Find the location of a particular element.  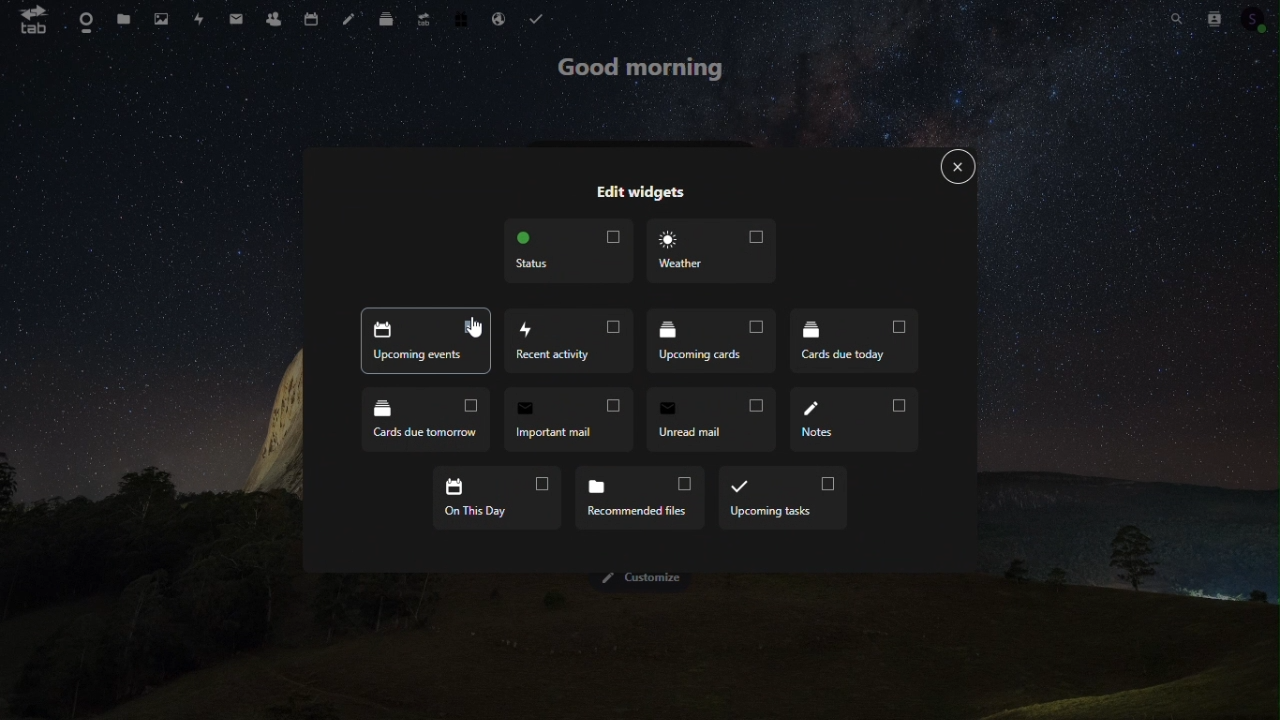

Tasks is located at coordinates (536, 16).